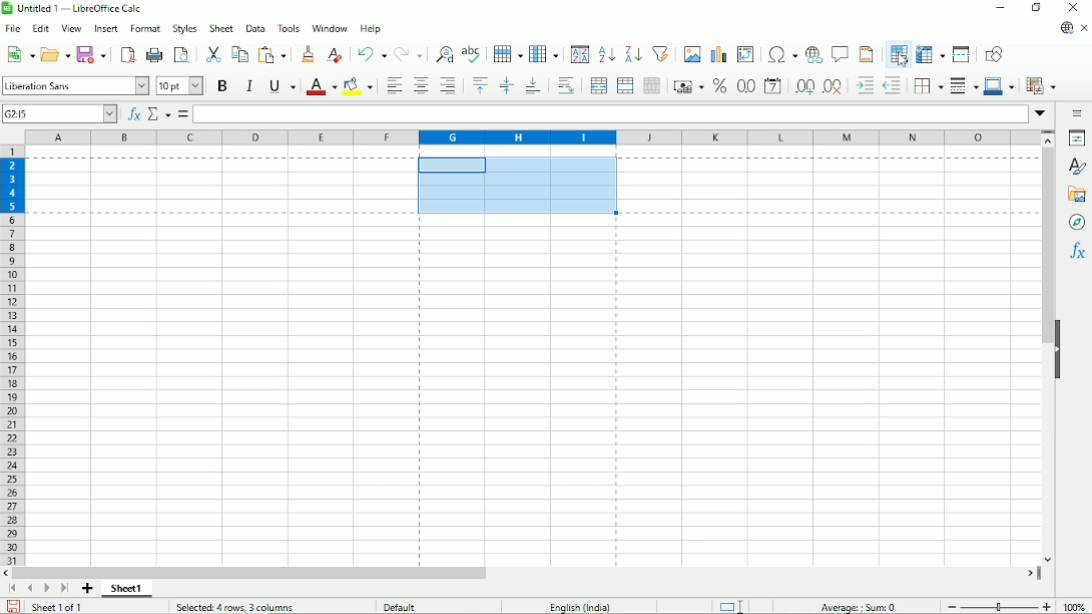  What do you see at coordinates (610, 114) in the screenshot?
I see `Input line` at bounding box center [610, 114].